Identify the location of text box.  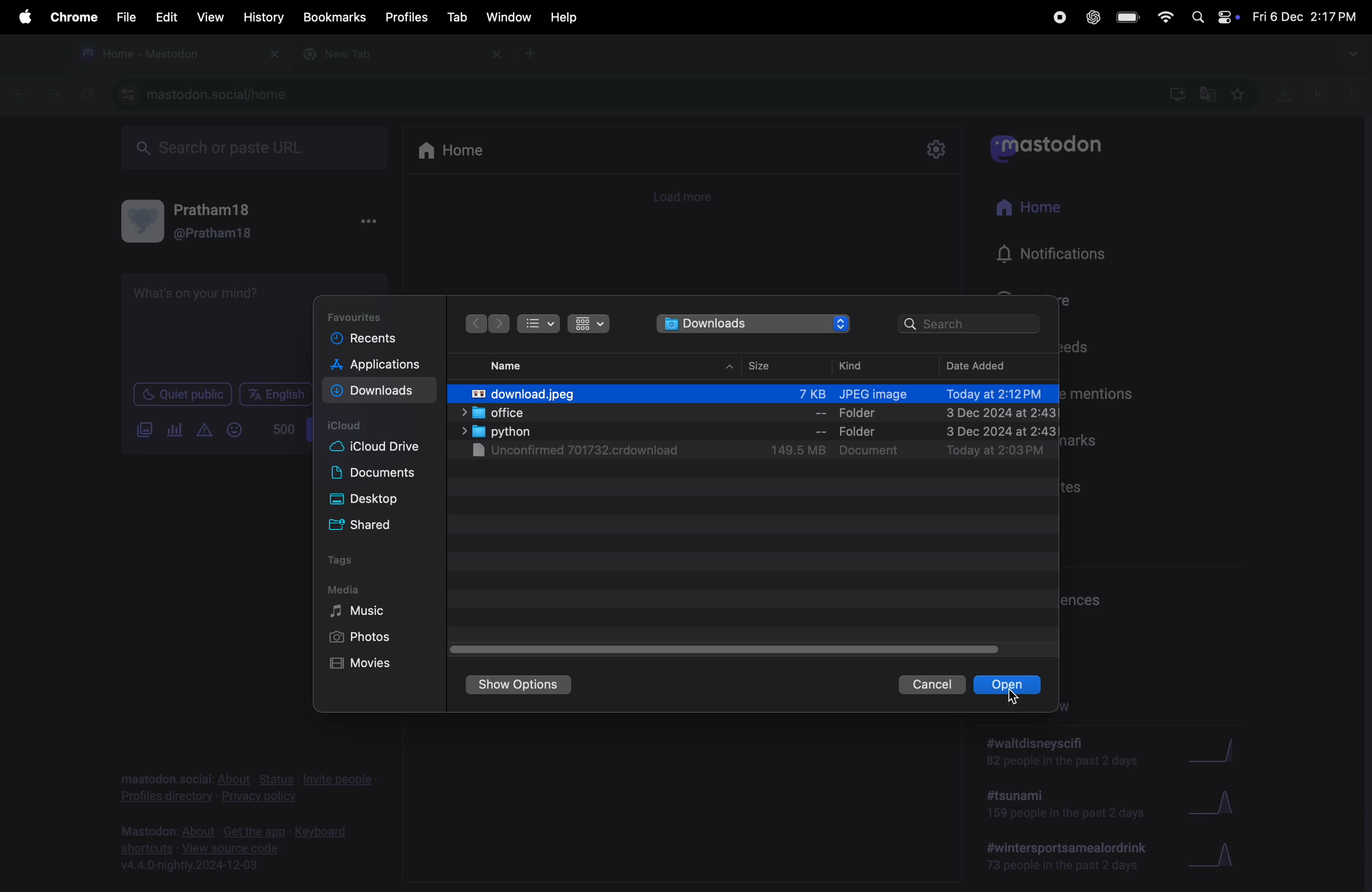
(209, 325).